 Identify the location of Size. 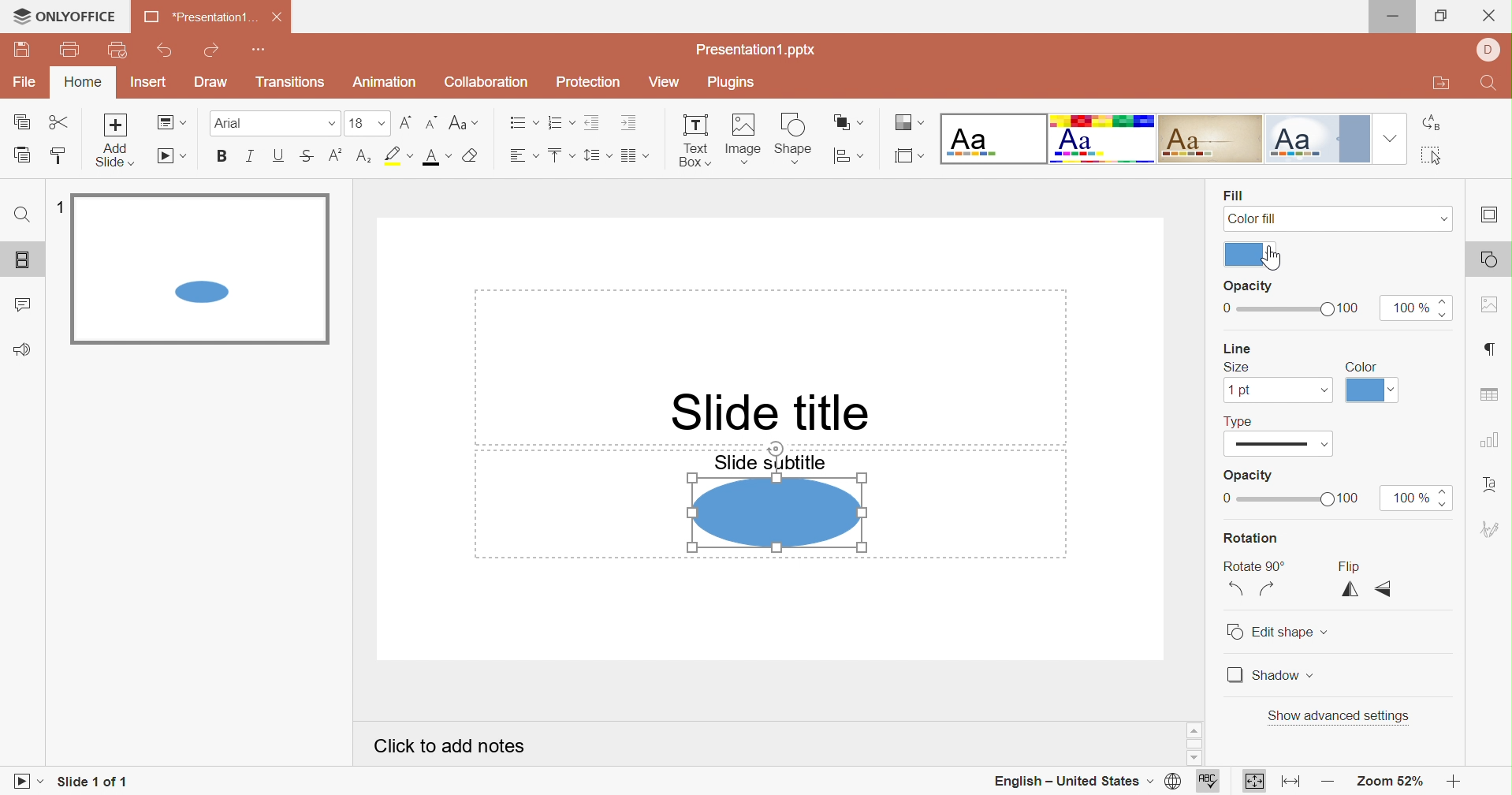
(1237, 368).